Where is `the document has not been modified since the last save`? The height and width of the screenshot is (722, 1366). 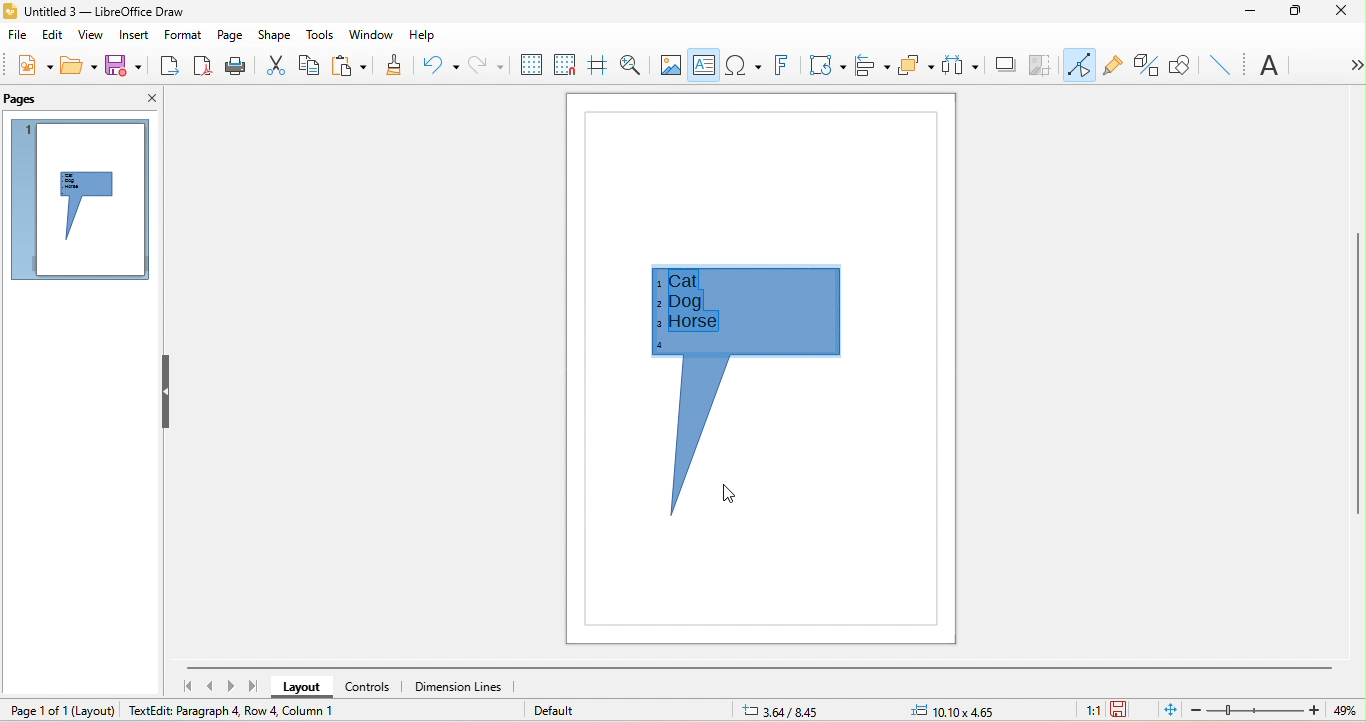
the document has not been modified since the last save is located at coordinates (1128, 710).